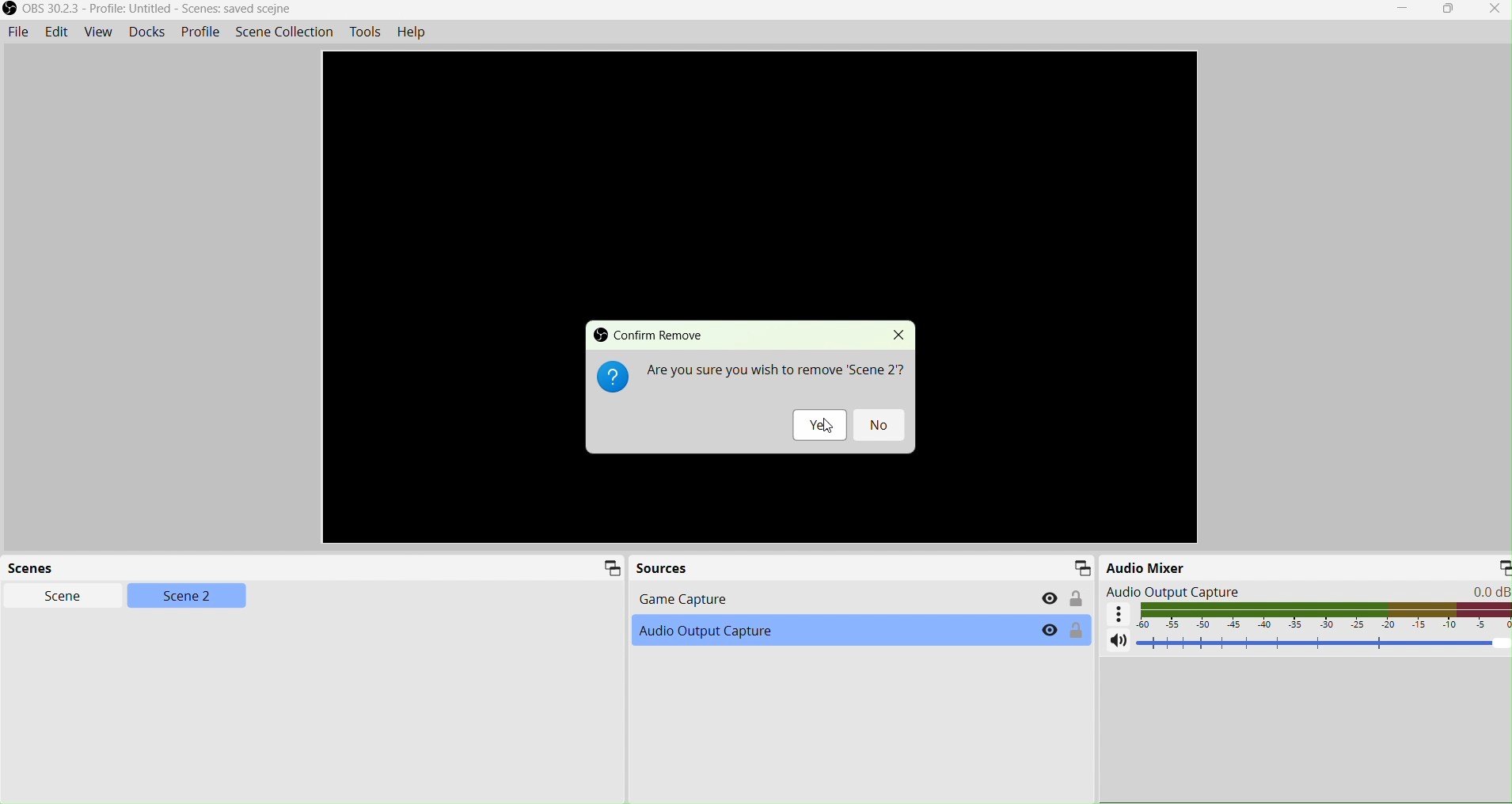 The width and height of the screenshot is (1512, 804). Describe the element at coordinates (775, 370) in the screenshot. I see `re you sure you wish to remove 'Scene 2?` at that location.